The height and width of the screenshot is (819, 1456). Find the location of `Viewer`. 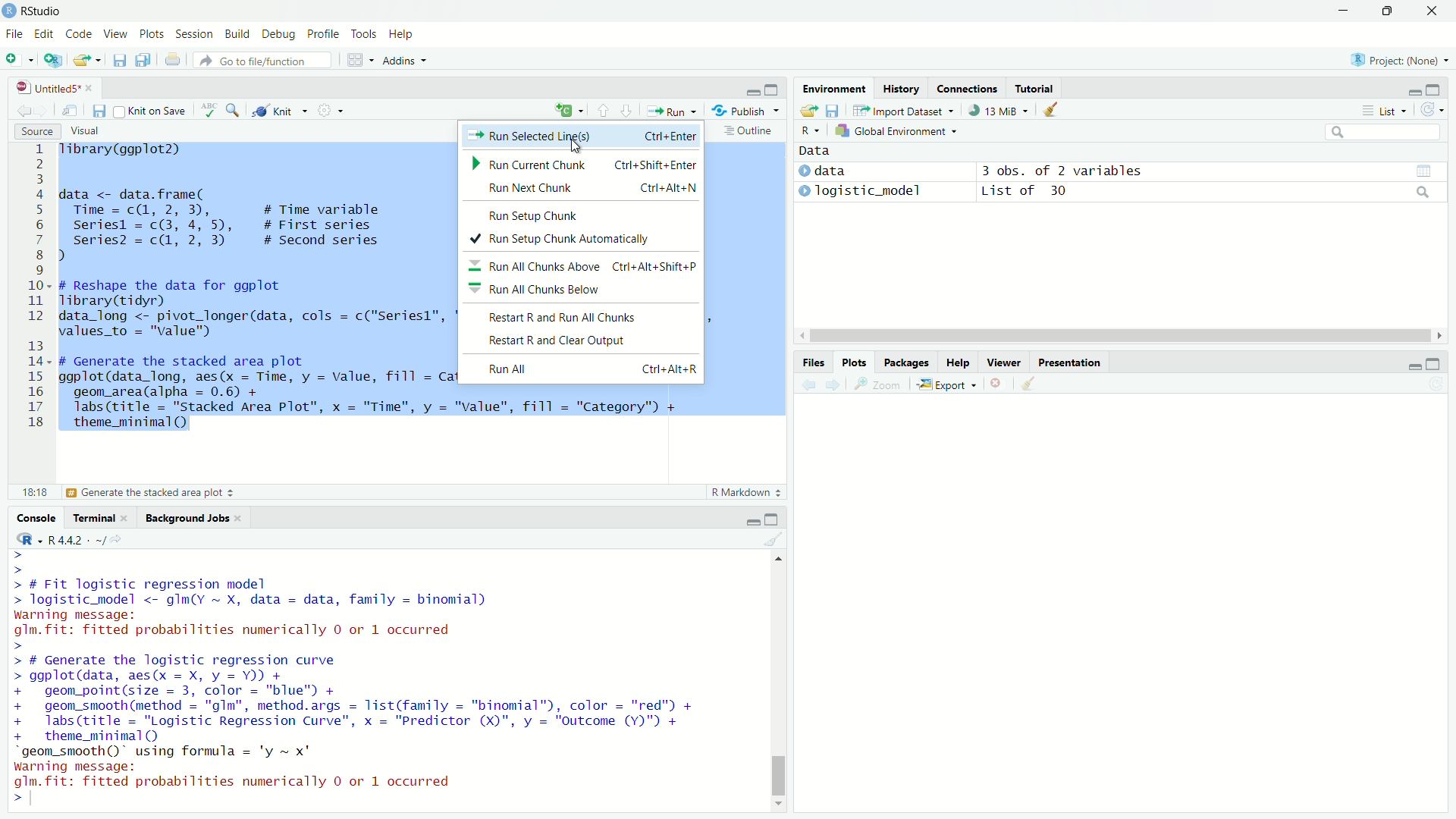

Viewer is located at coordinates (1003, 362).